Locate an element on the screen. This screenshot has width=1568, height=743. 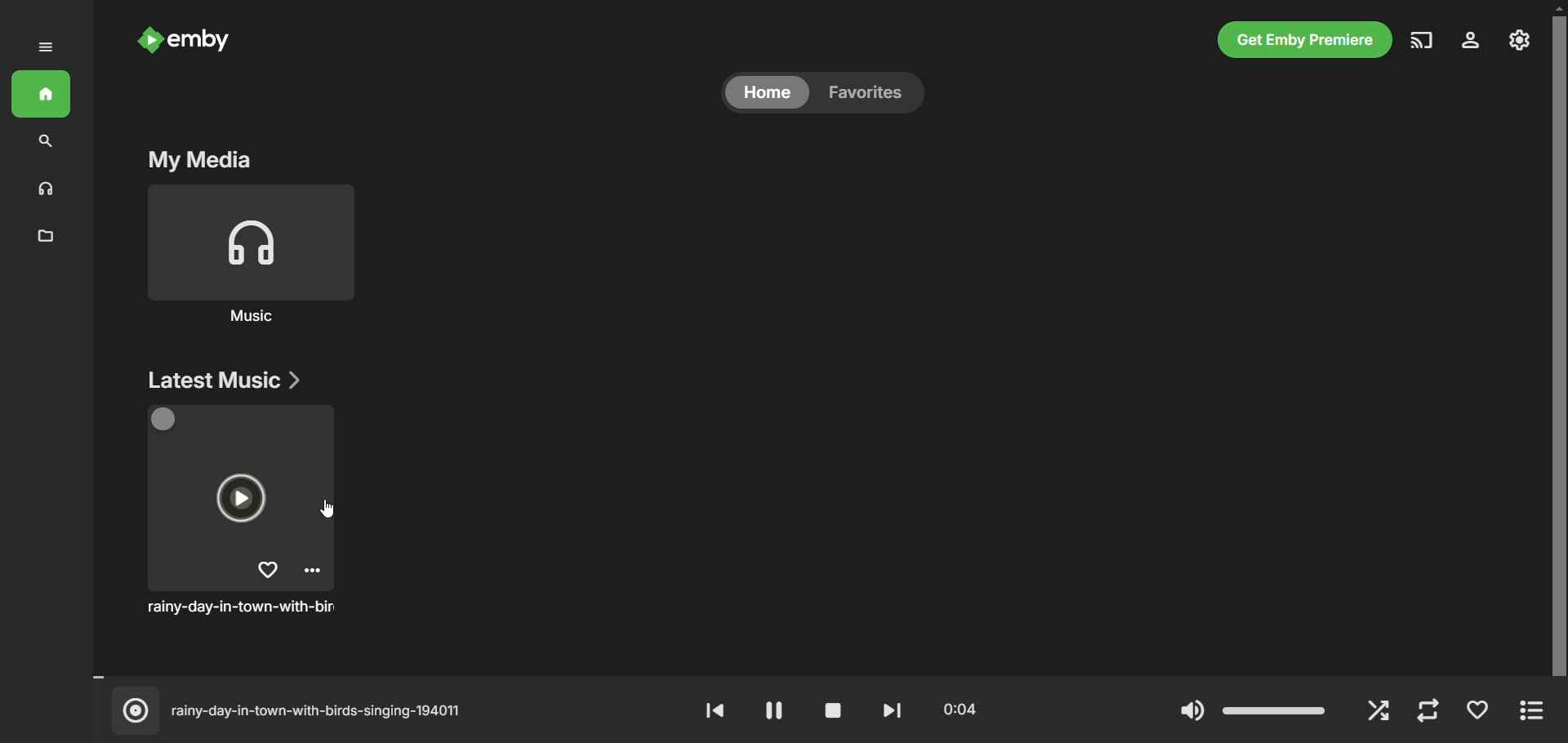
play on another device is located at coordinates (1423, 43).